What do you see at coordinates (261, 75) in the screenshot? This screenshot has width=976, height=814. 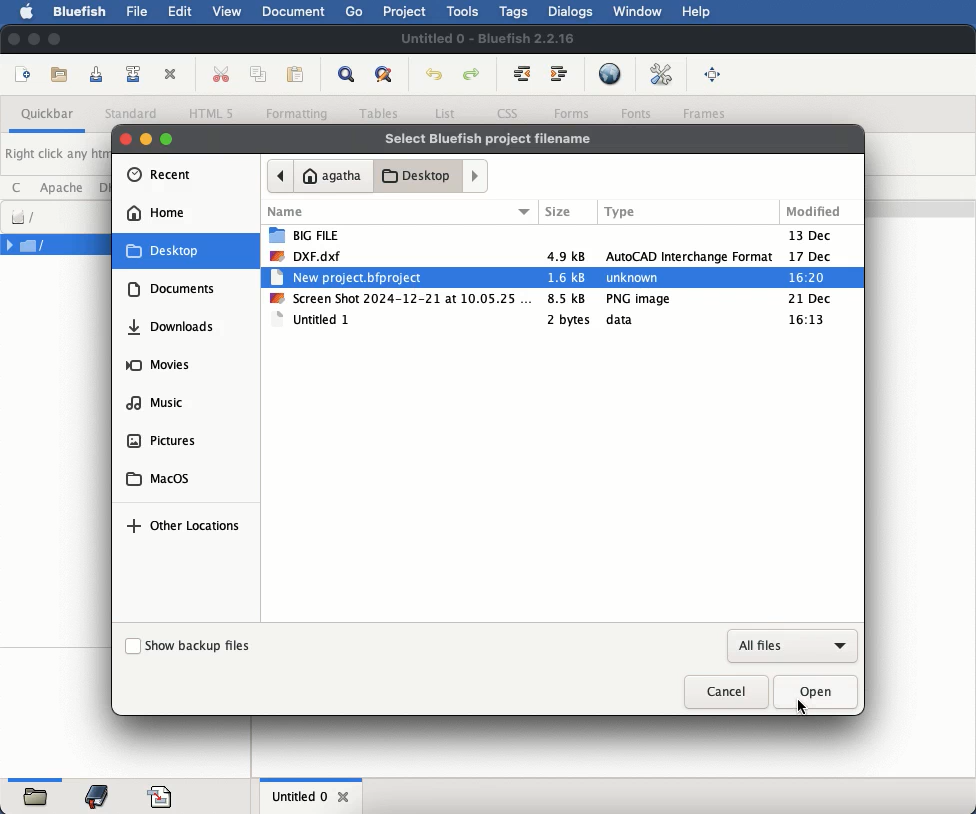 I see `copy` at bounding box center [261, 75].